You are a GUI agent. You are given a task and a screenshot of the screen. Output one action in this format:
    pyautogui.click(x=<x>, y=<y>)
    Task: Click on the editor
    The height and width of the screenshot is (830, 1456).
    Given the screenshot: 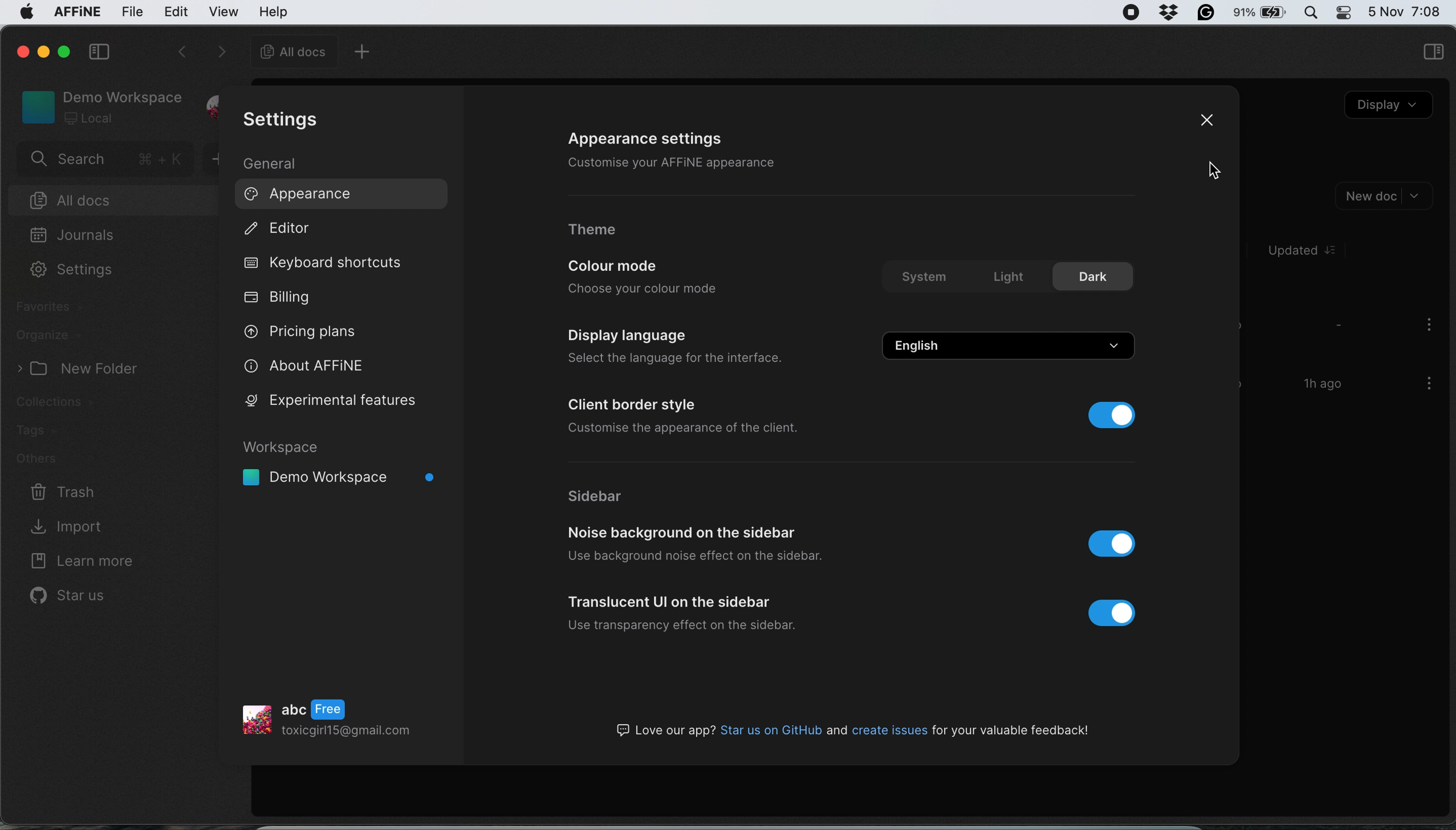 What is the action you would take?
    pyautogui.click(x=280, y=229)
    